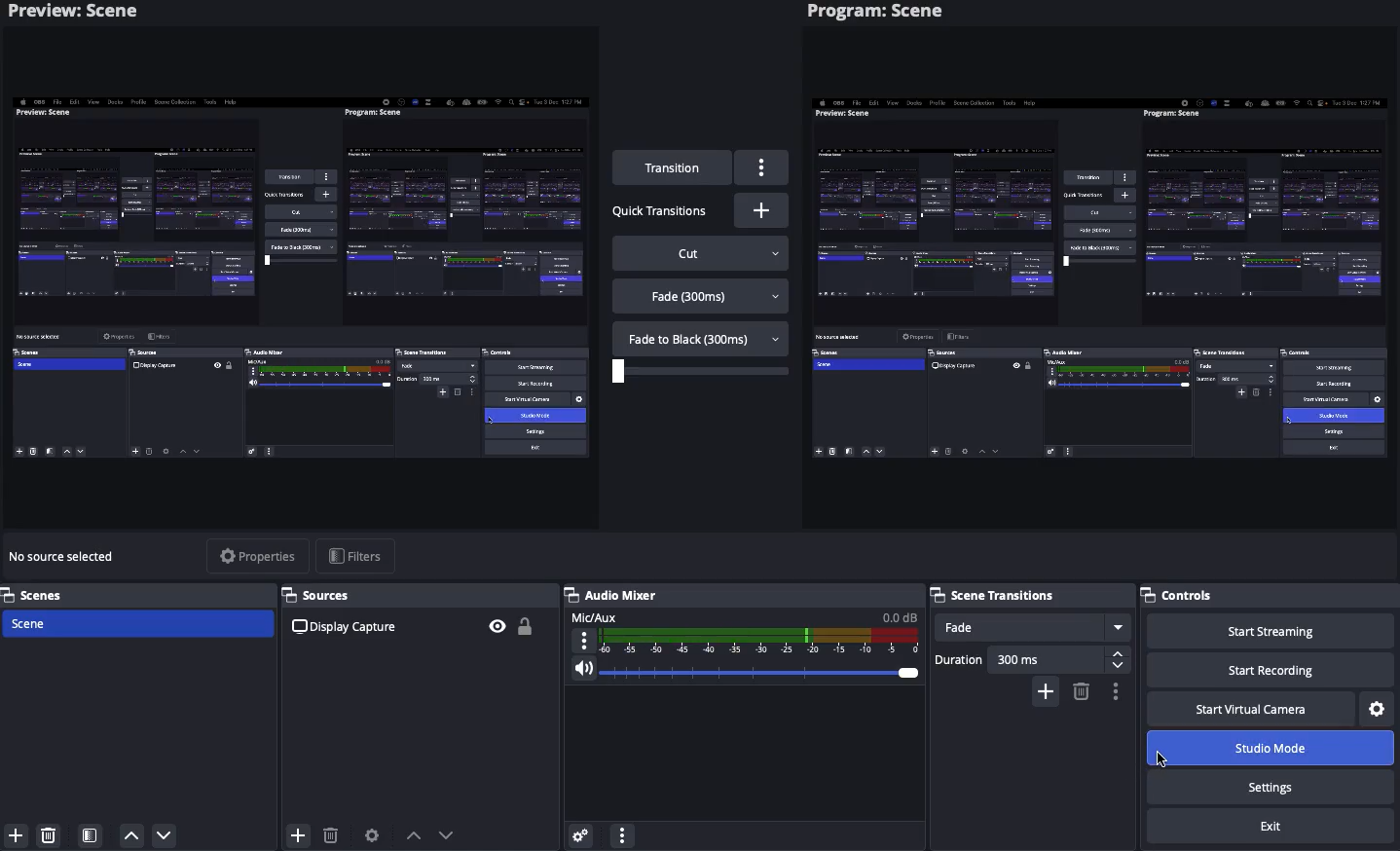  Describe the element at coordinates (1269, 828) in the screenshot. I see `Exit` at that location.